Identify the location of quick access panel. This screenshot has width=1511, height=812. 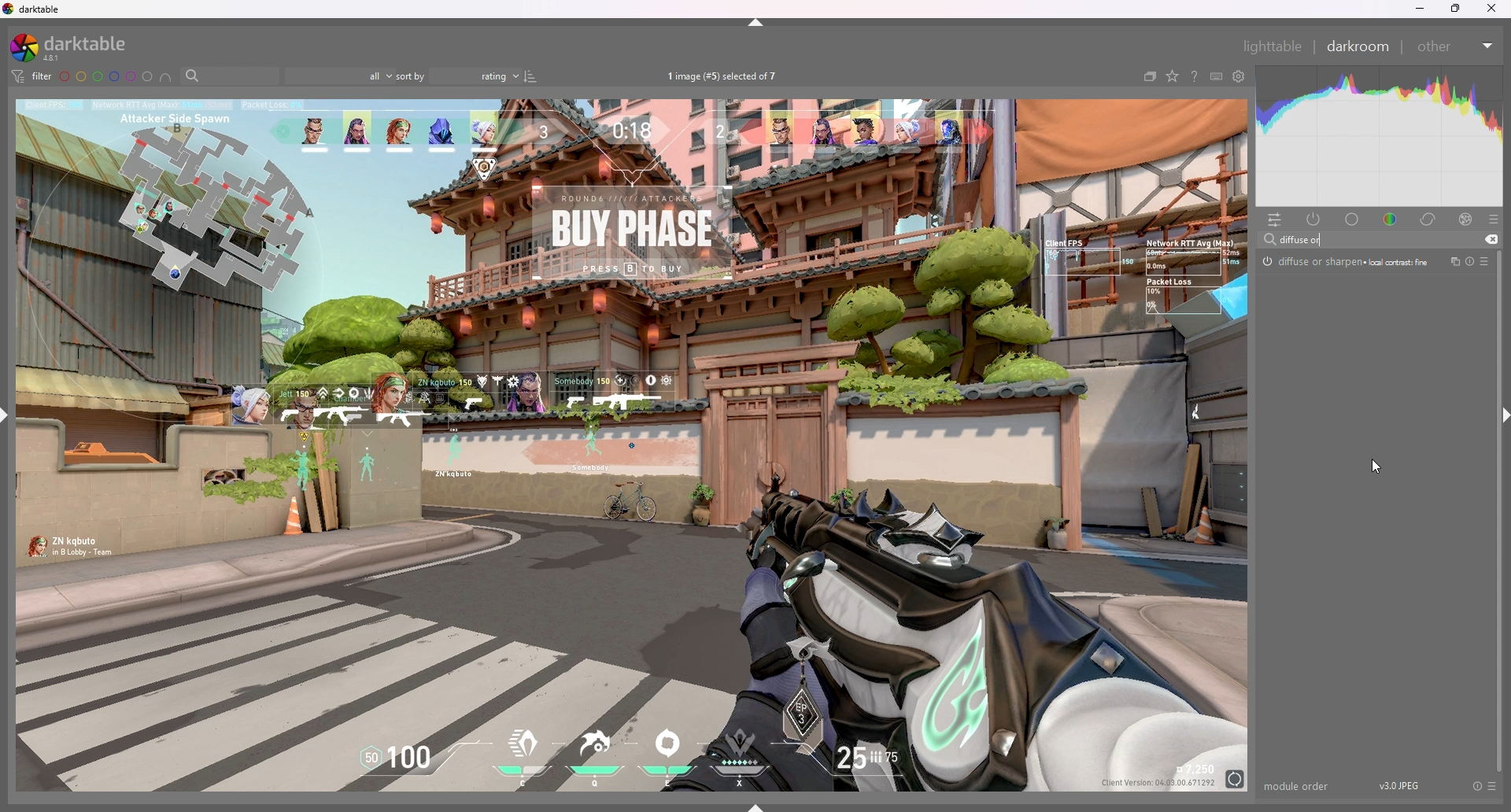
(1275, 220).